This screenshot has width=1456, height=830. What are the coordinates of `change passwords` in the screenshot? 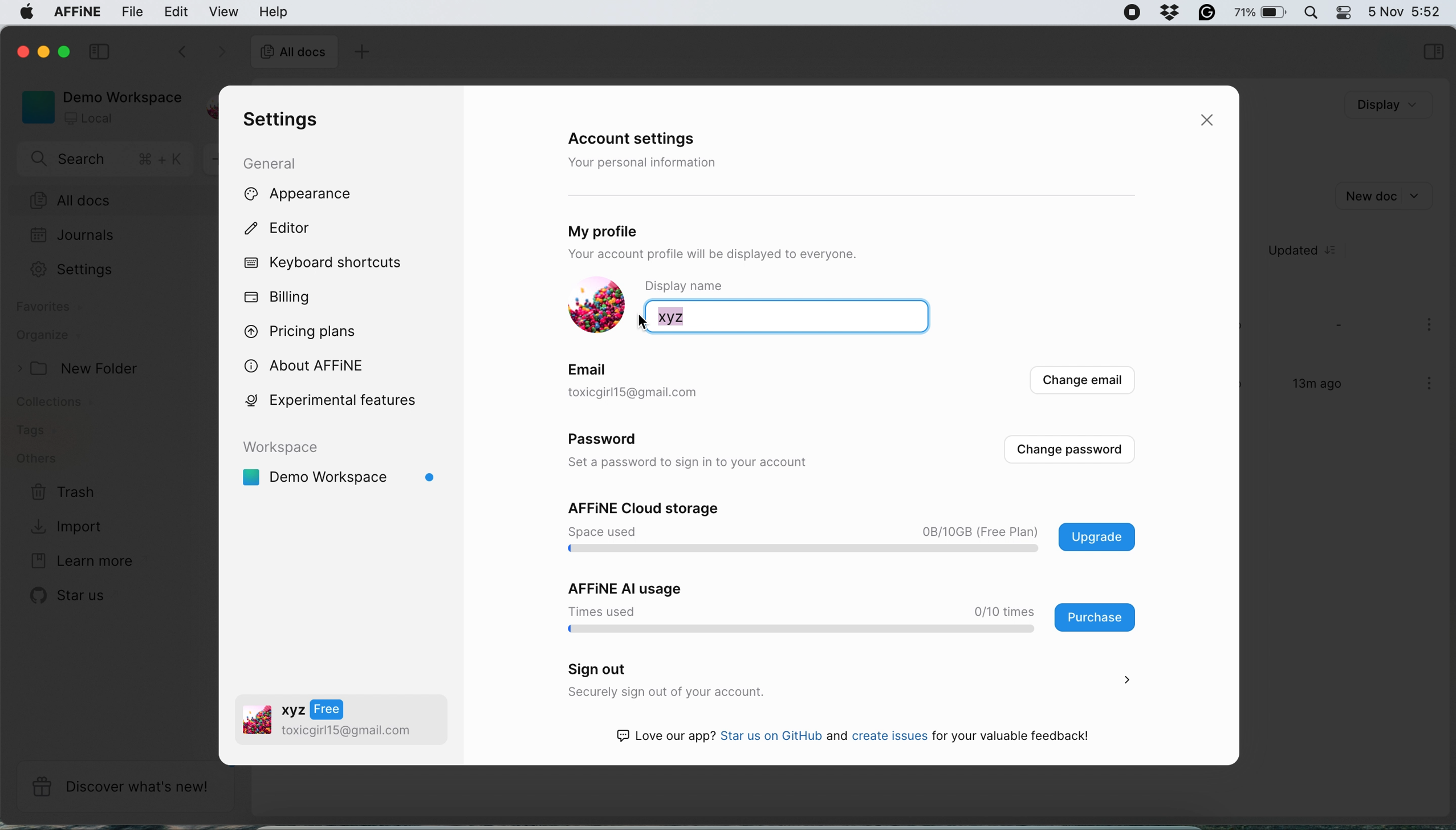 It's located at (1069, 450).